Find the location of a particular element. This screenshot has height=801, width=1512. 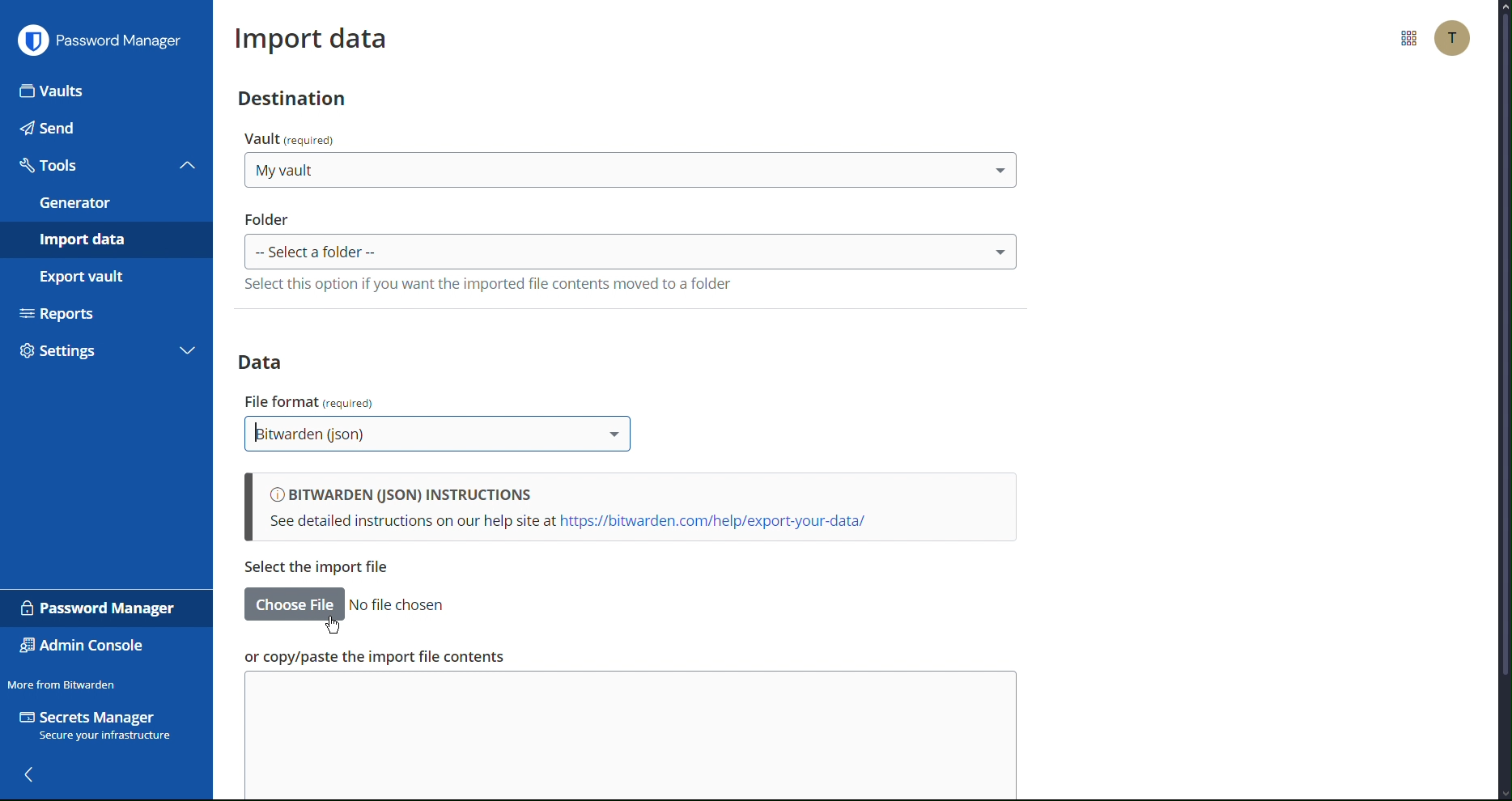

cursor is located at coordinates (371, 447).